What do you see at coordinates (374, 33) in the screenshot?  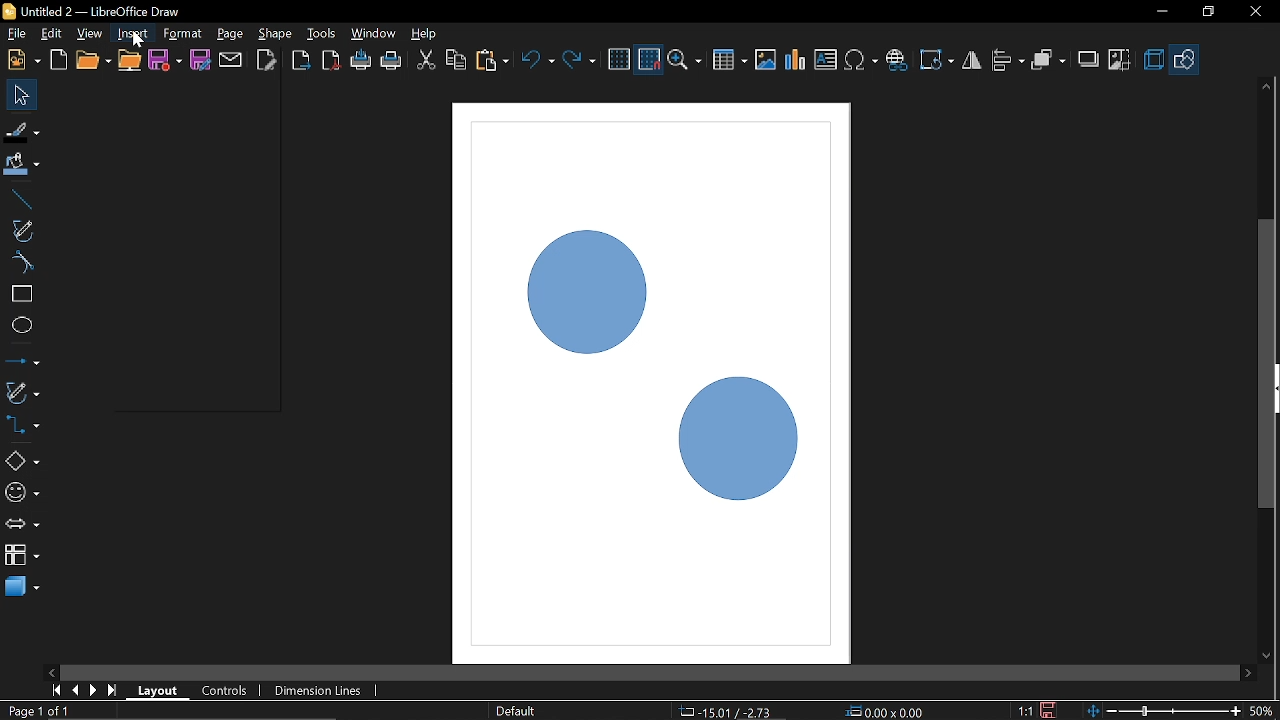 I see `WIndow` at bounding box center [374, 33].